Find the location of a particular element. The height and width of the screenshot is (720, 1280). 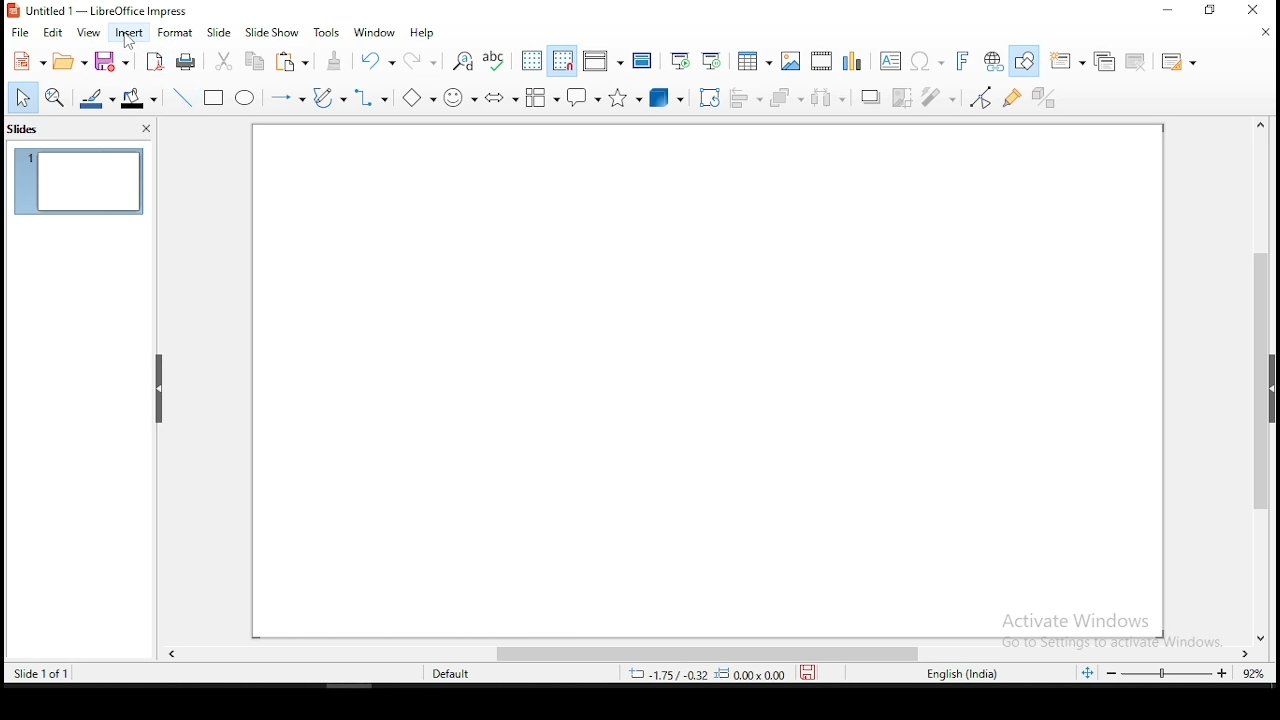

3D objects is located at coordinates (667, 95).